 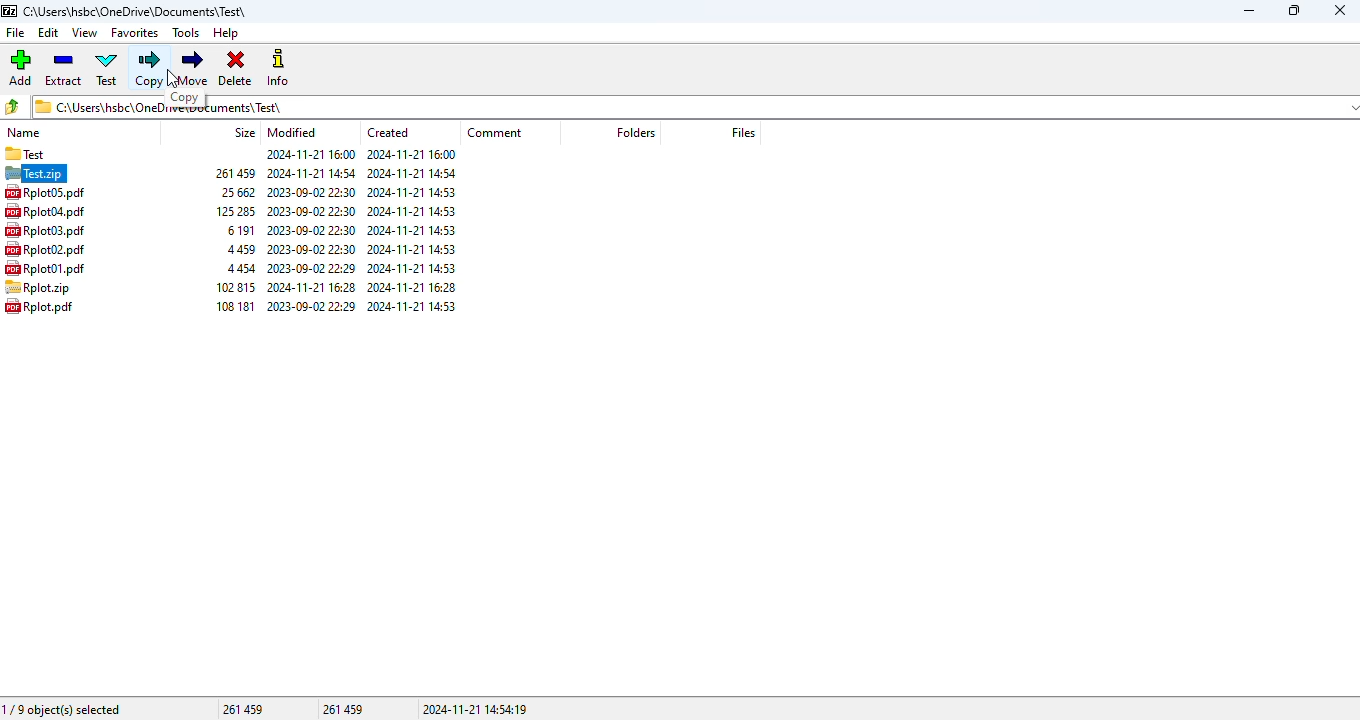 What do you see at coordinates (34, 174) in the screenshot?
I see `selected archive` at bounding box center [34, 174].